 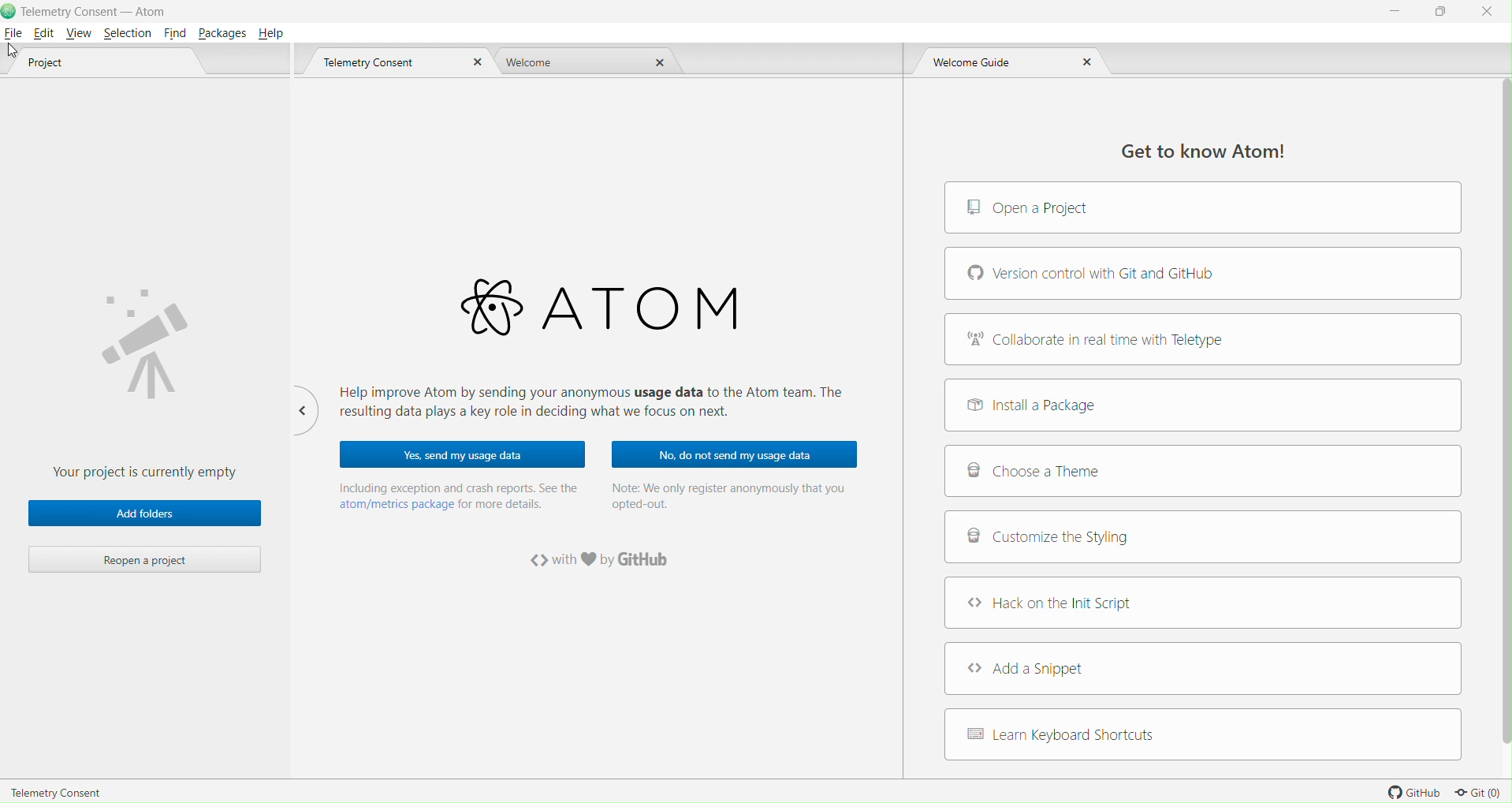 What do you see at coordinates (173, 33) in the screenshot?
I see `Find` at bounding box center [173, 33].